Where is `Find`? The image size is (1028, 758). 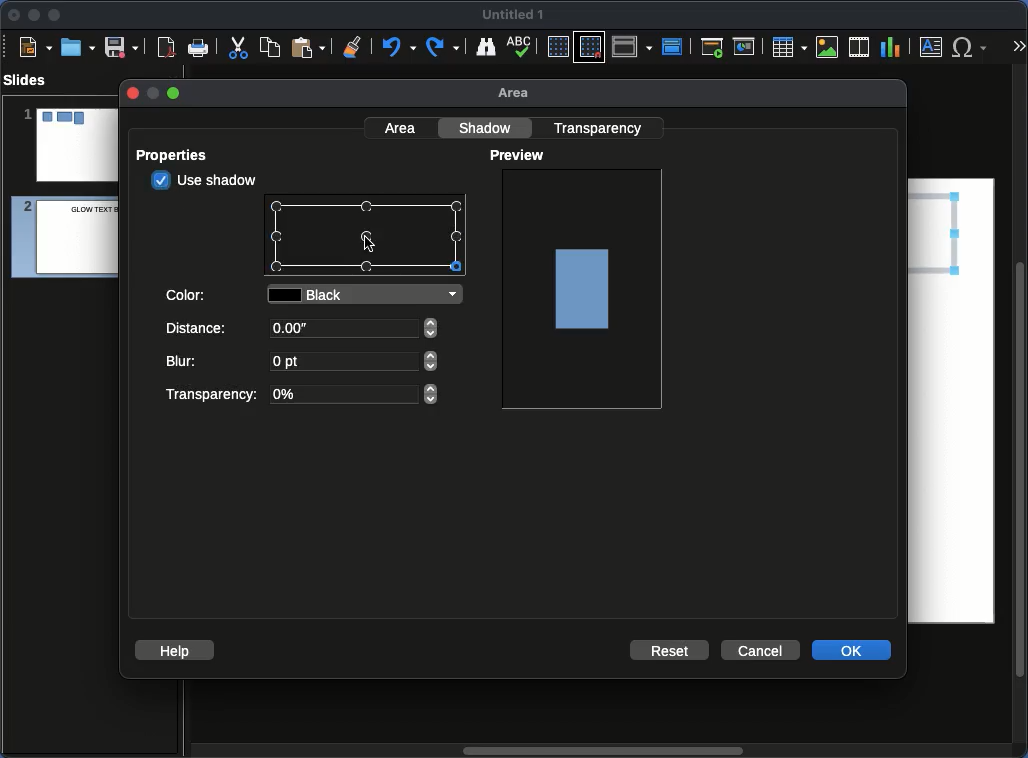 Find is located at coordinates (485, 46).